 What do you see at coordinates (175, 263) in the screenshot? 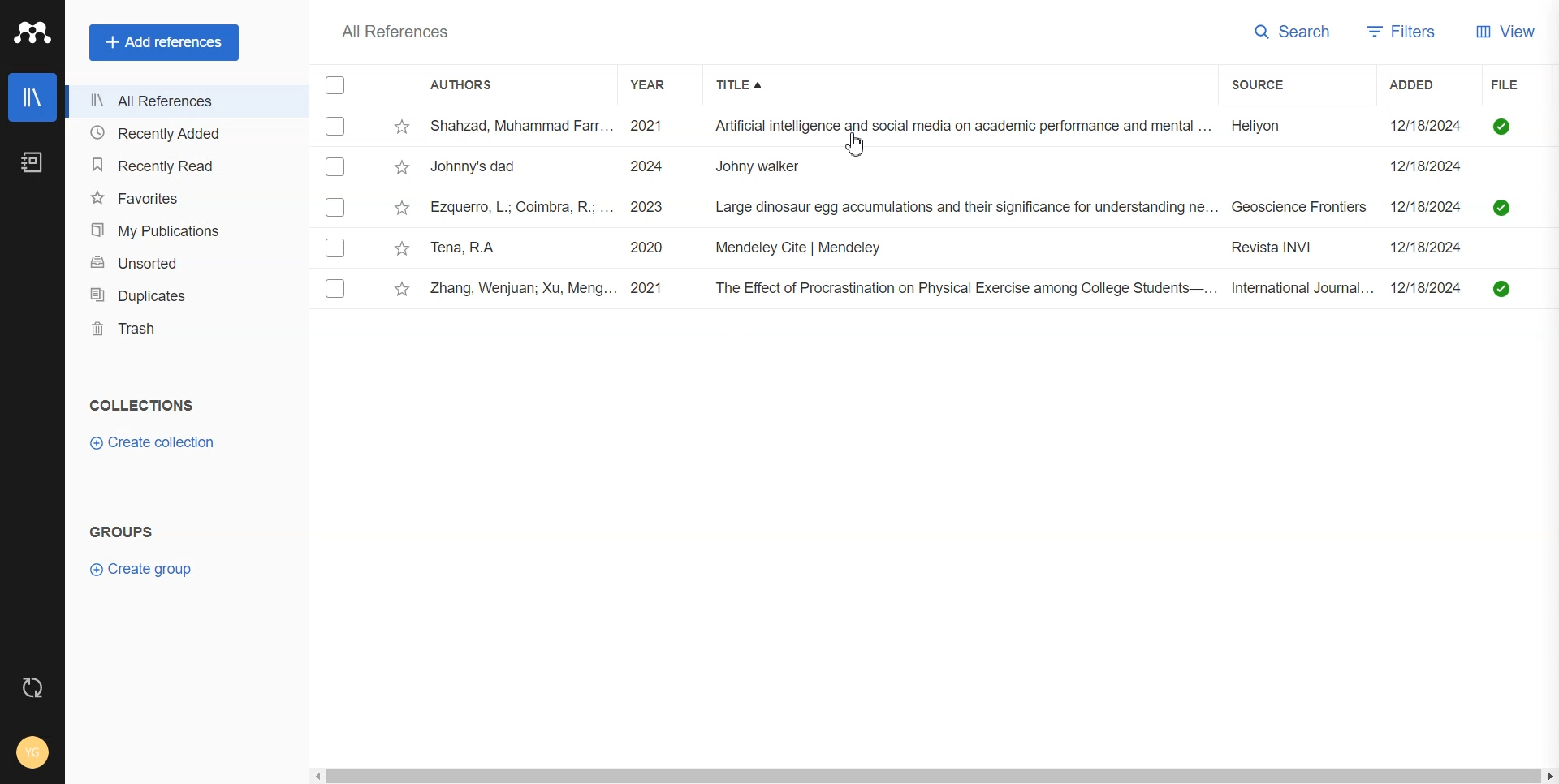
I see `Unsorted` at bounding box center [175, 263].